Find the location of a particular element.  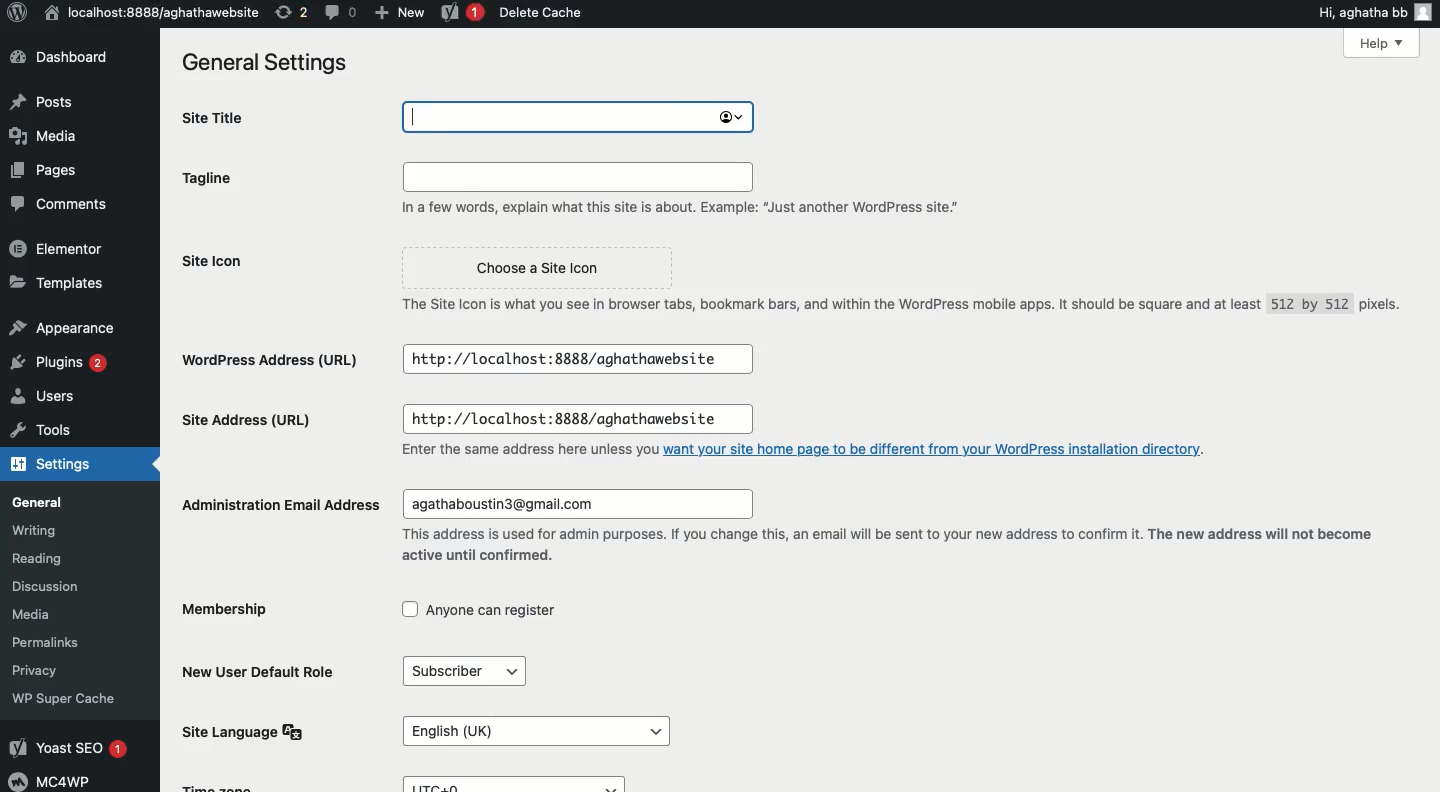

Appearance is located at coordinates (63, 330).